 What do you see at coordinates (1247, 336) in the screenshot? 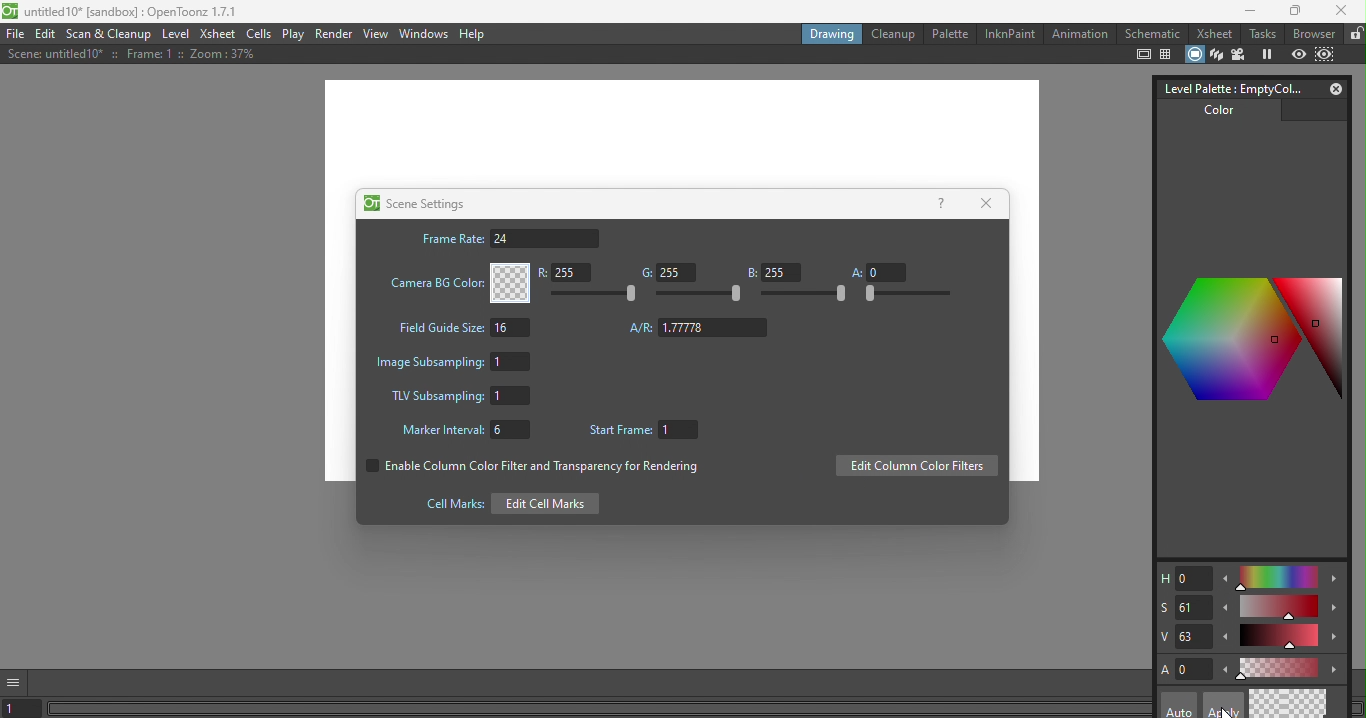
I see `Color palettes` at bounding box center [1247, 336].